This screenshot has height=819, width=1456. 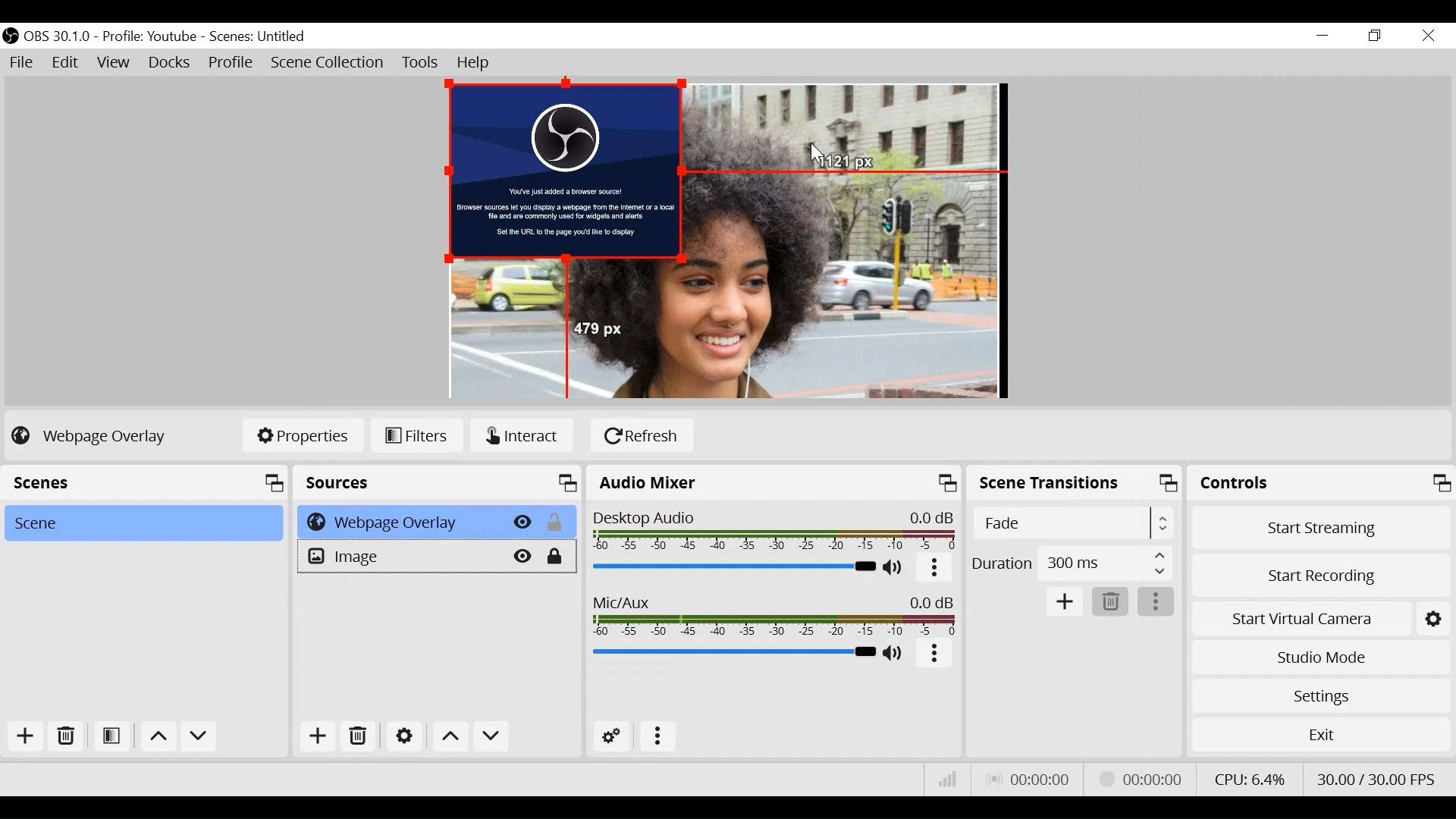 What do you see at coordinates (949, 779) in the screenshot?
I see `Bitrate` at bounding box center [949, 779].